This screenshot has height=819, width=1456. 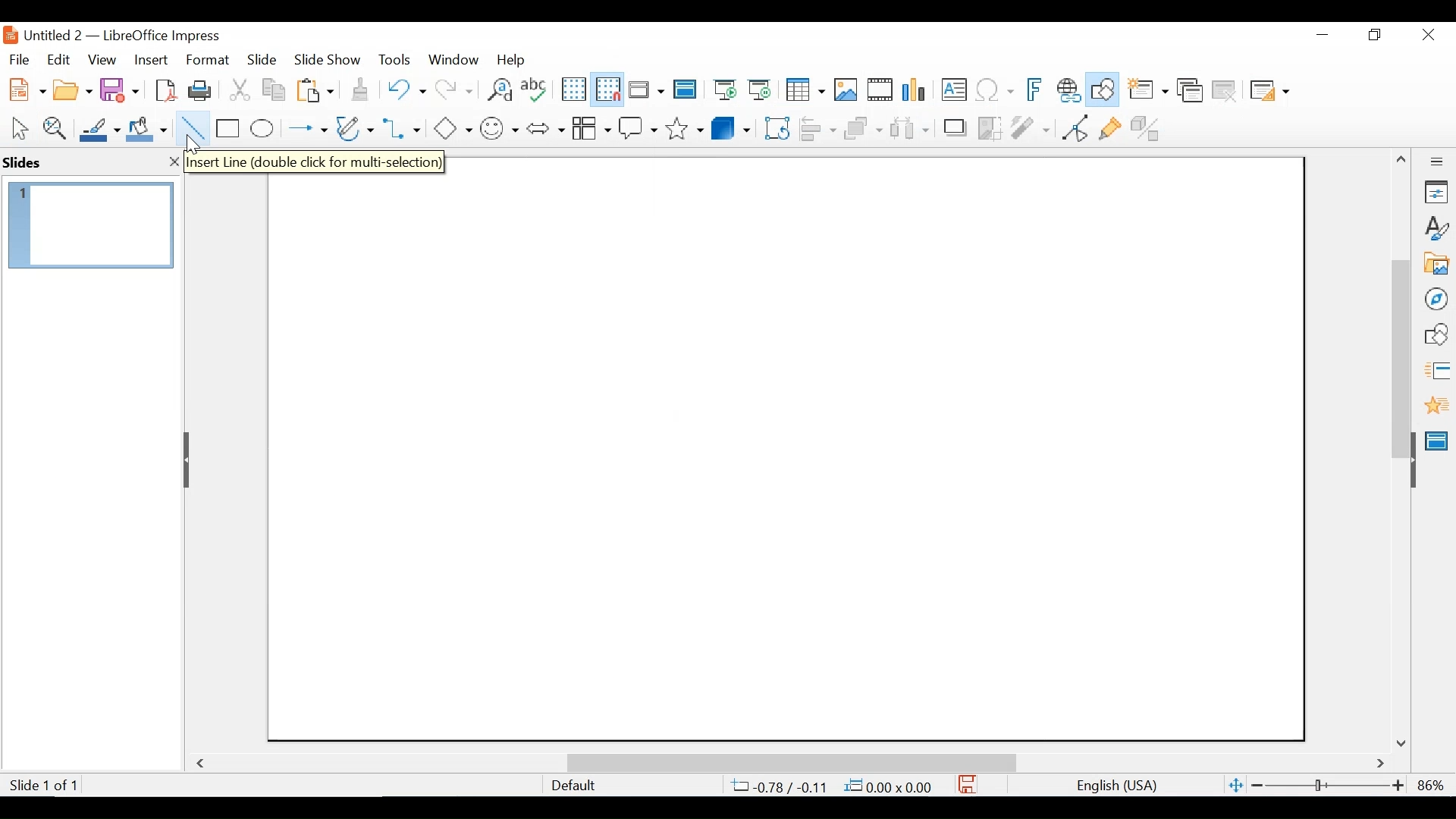 I want to click on Display Grid, so click(x=573, y=89).